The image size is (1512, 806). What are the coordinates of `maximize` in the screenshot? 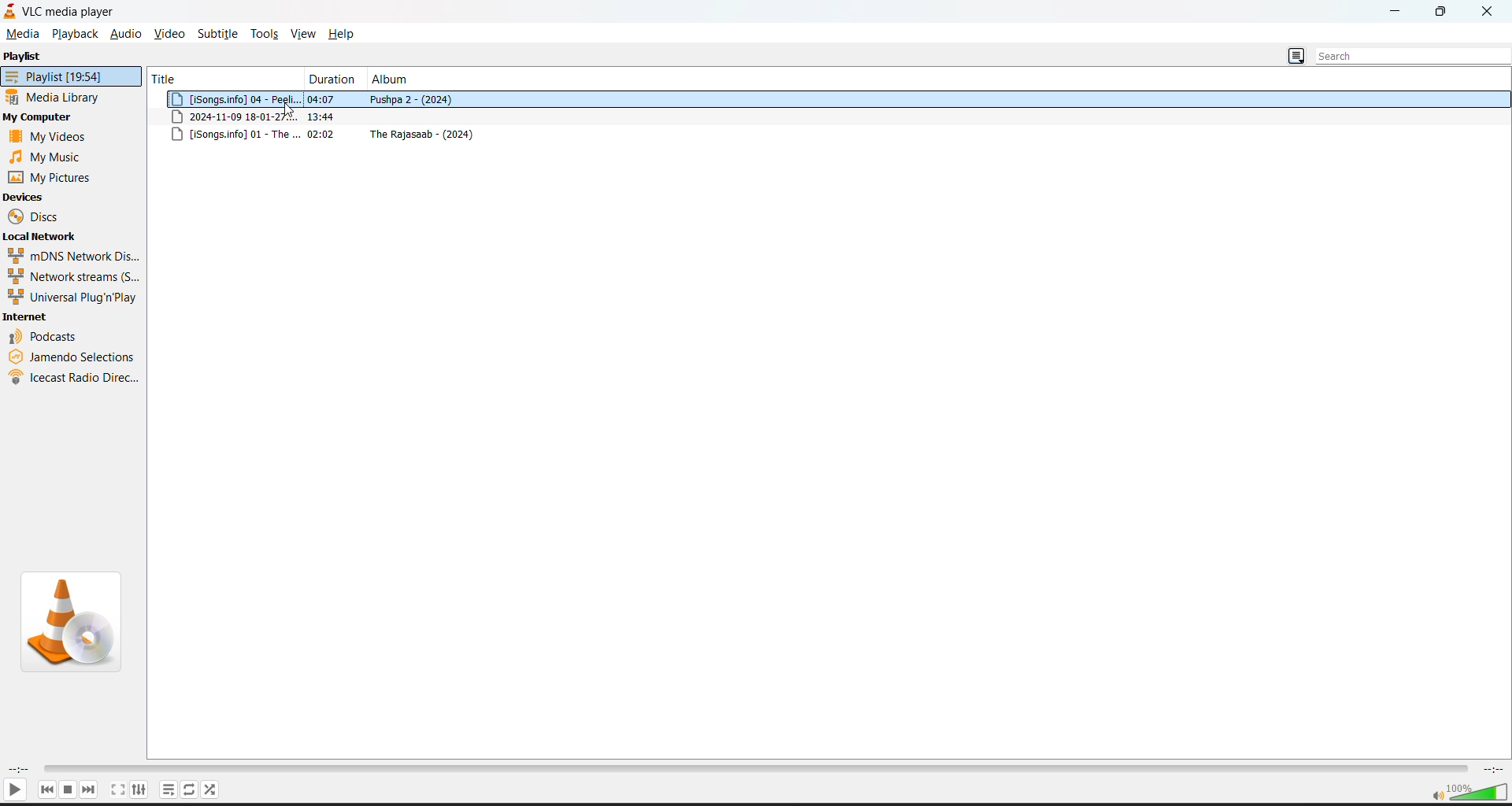 It's located at (1441, 12).